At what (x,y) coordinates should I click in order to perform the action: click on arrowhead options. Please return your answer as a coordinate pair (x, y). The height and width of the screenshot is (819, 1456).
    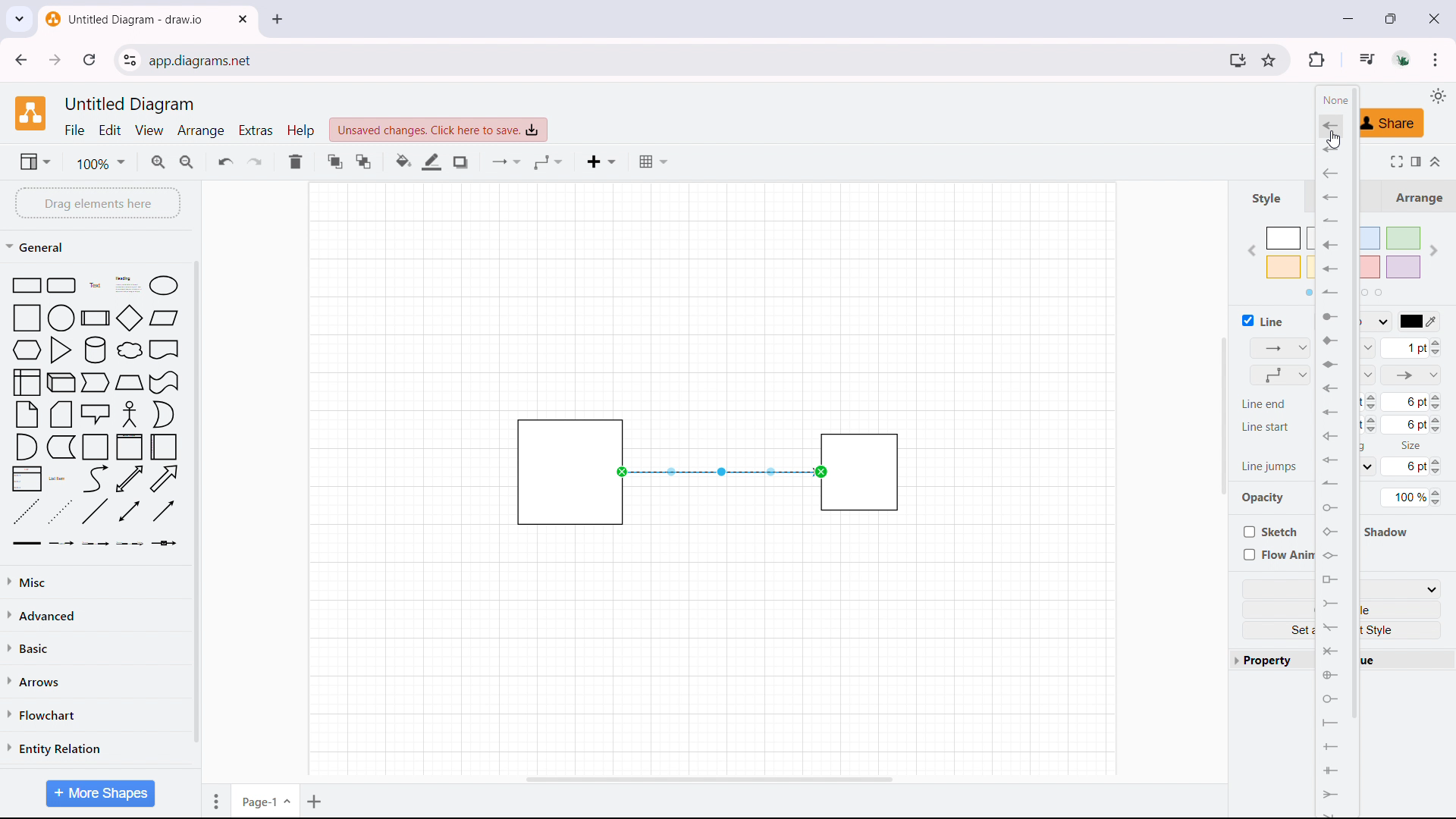
    Looking at the image, I should click on (1330, 447).